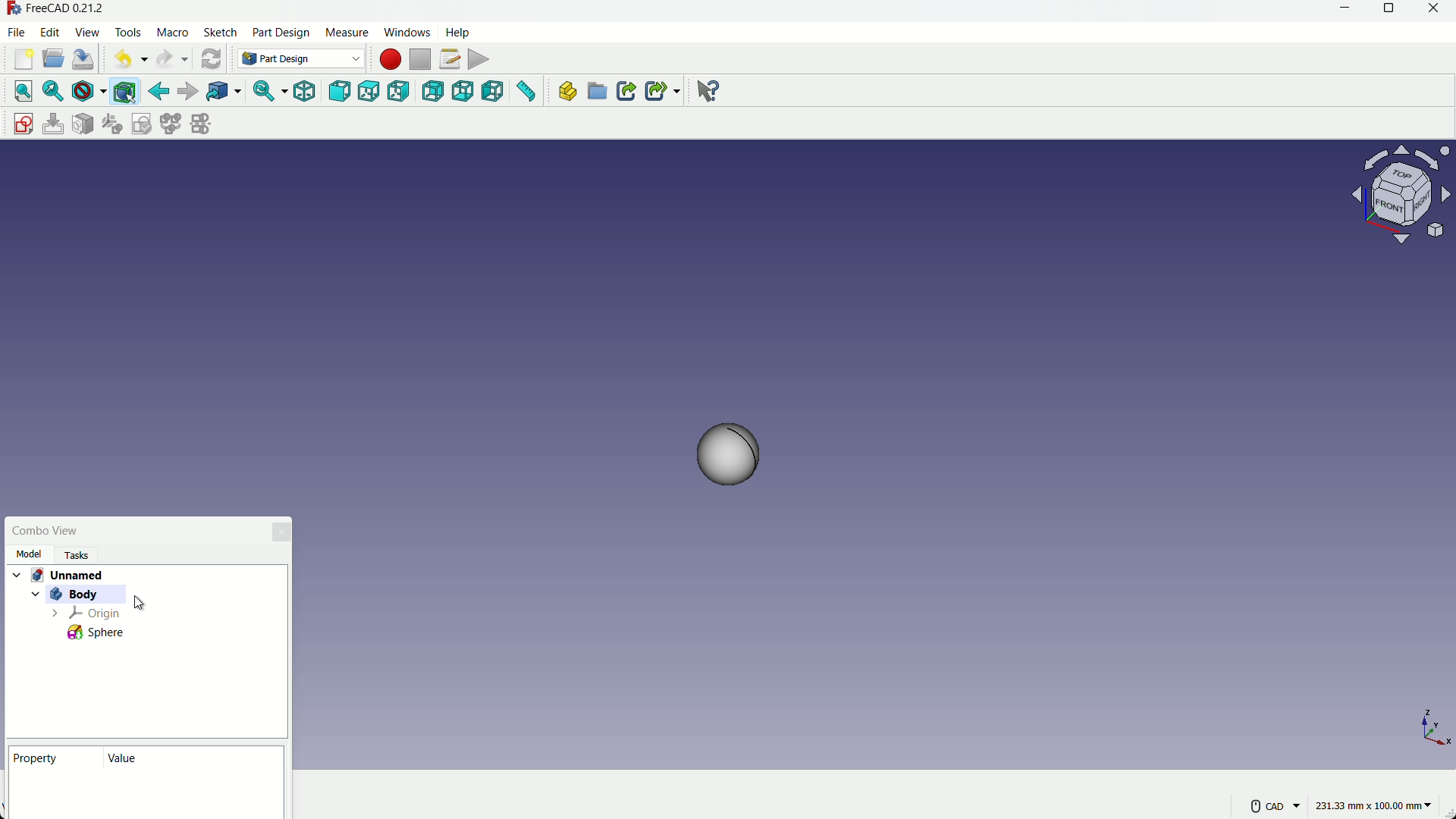 This screenshot has height=819, width=1456. What do you see at coordinates (172, 33) in the screenshot?
I see `macros` at bounding box center [172, 33].